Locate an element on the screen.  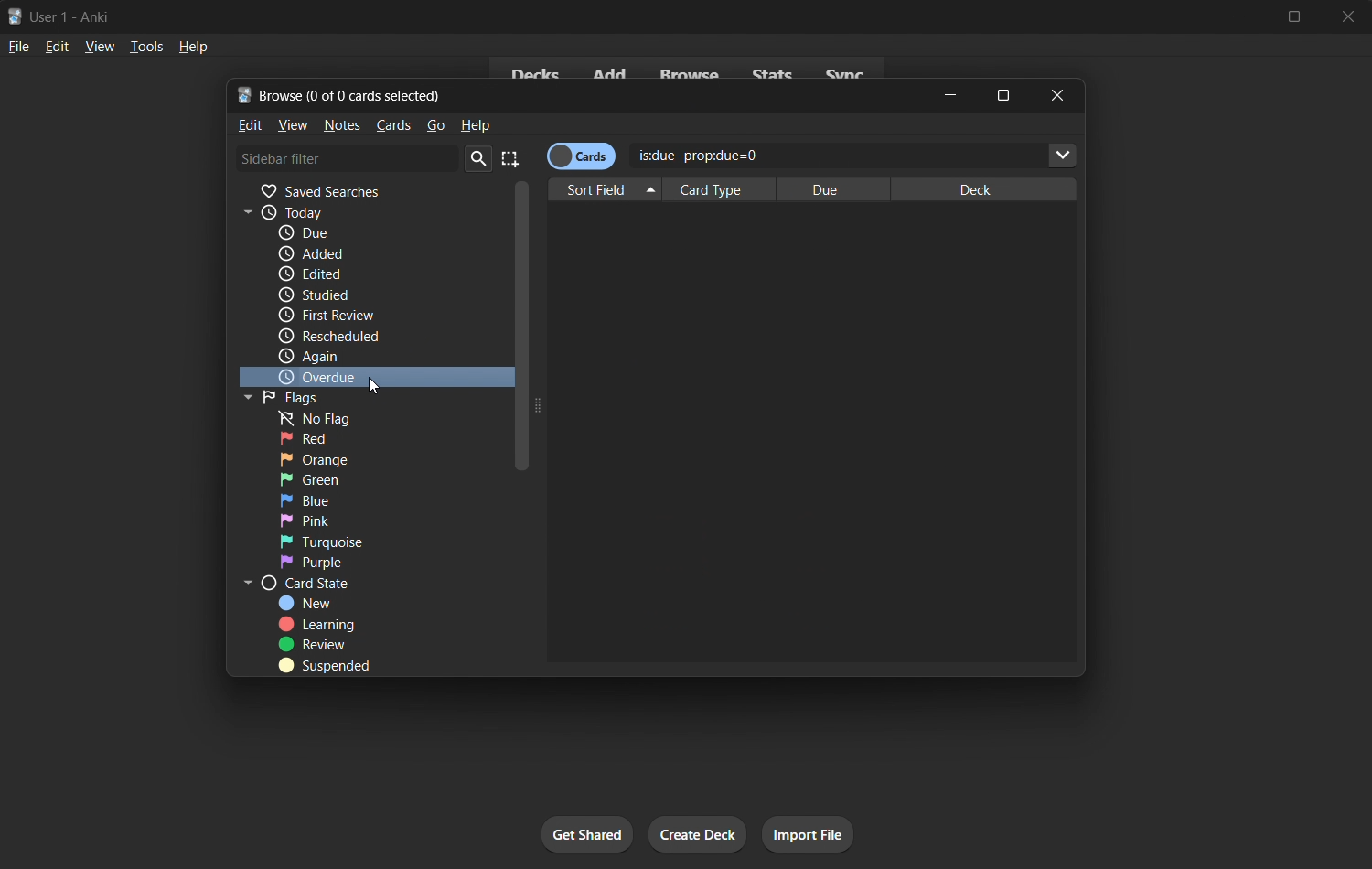
due is located at coordinates (365, 232).